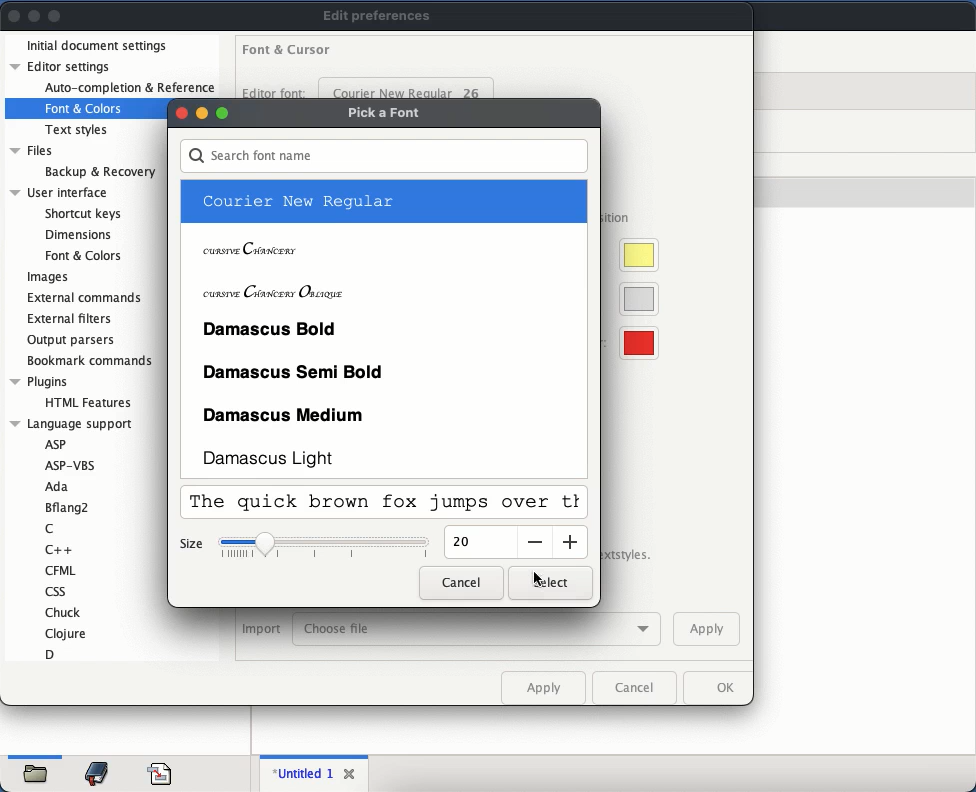 This screenshot has width=976, height=792. What do you see at coordinates (65, 612) in the screenshot?
I see `Chuck` at bounding box center [65, 612].